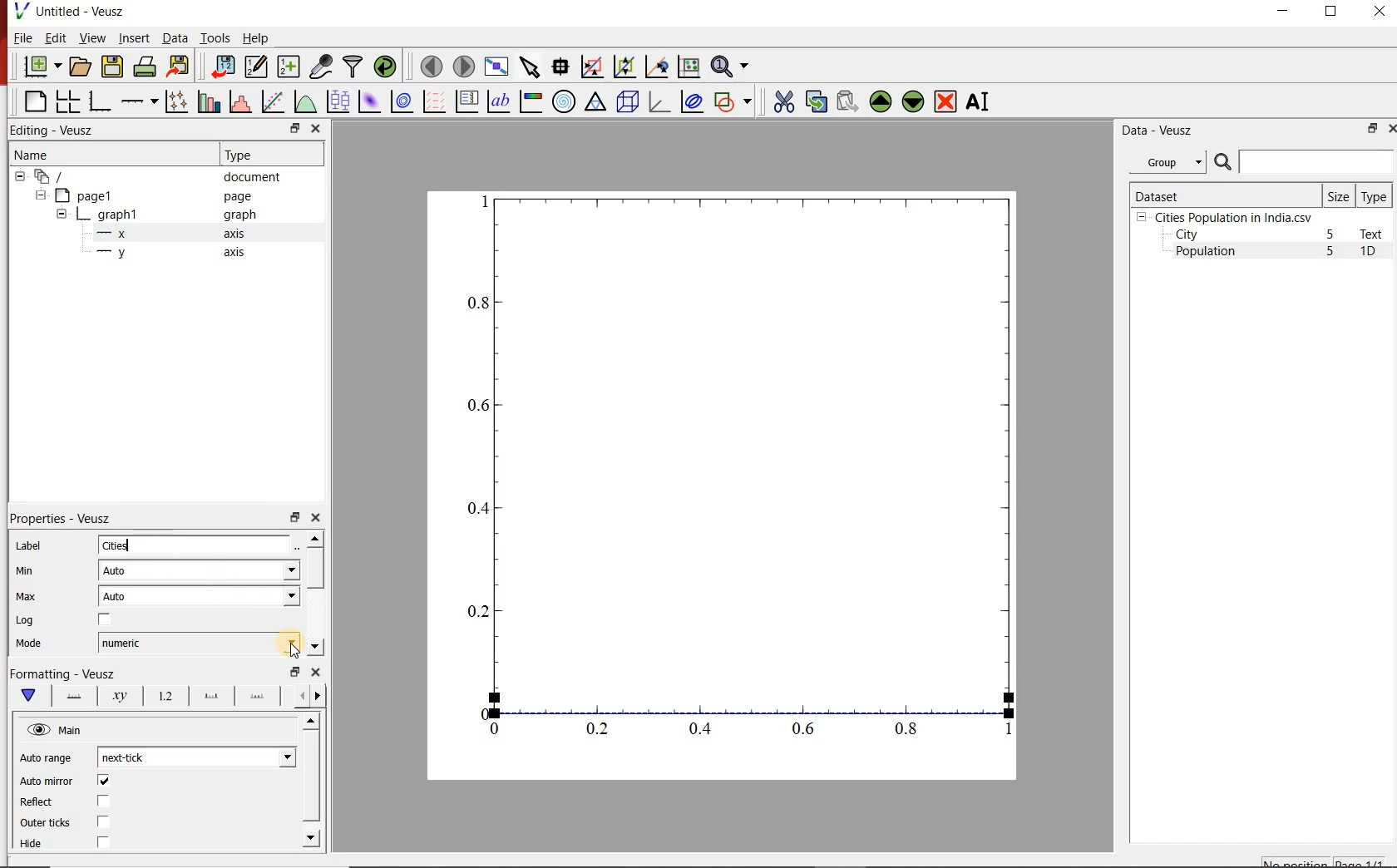  Describe the element at coordinates (590, 66) in the screenshot. I see `click or draw a rectangle to zoom graph indexes` at that location.